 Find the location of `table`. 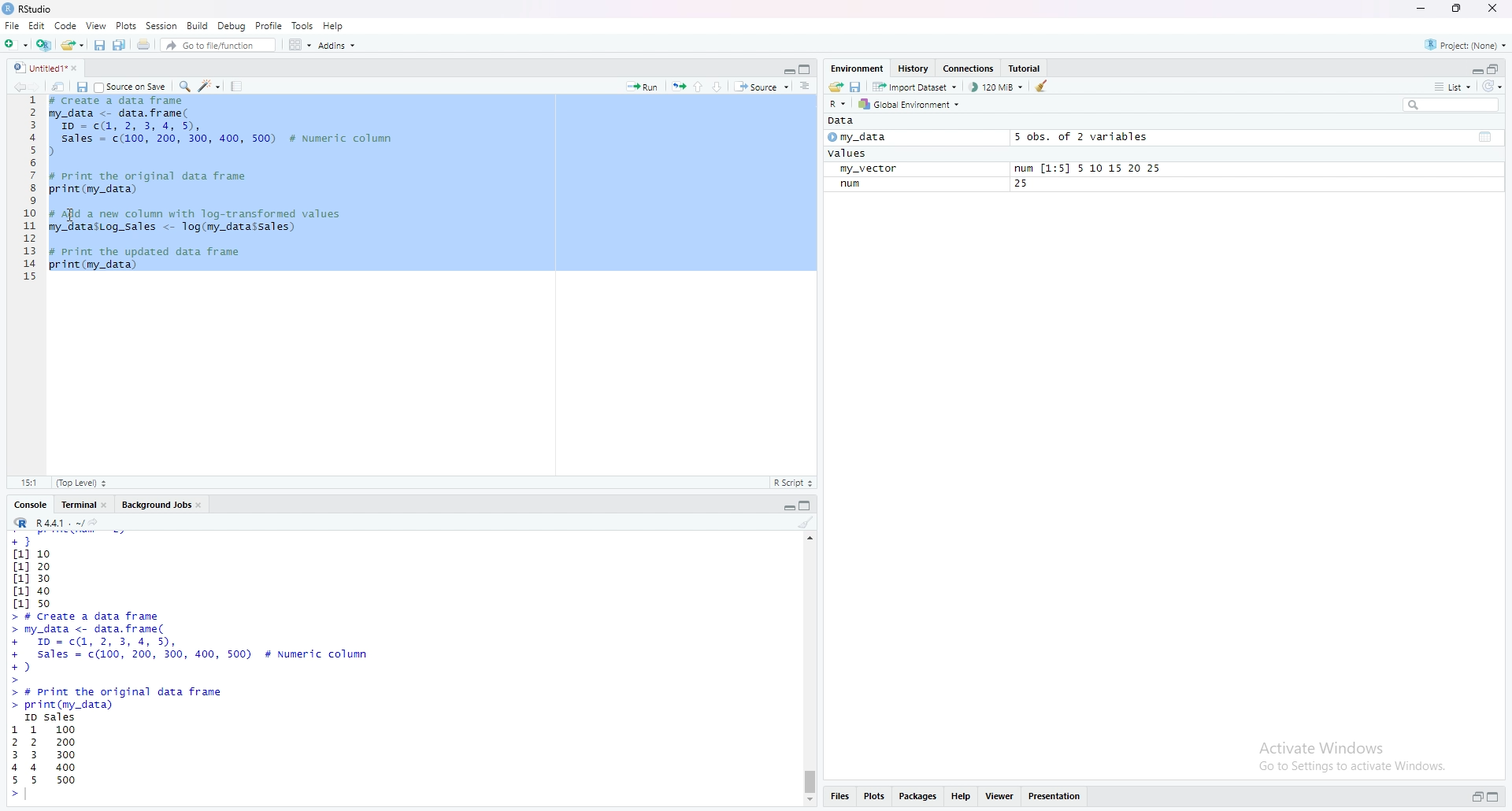

table is located at coordinates (1486, 136).